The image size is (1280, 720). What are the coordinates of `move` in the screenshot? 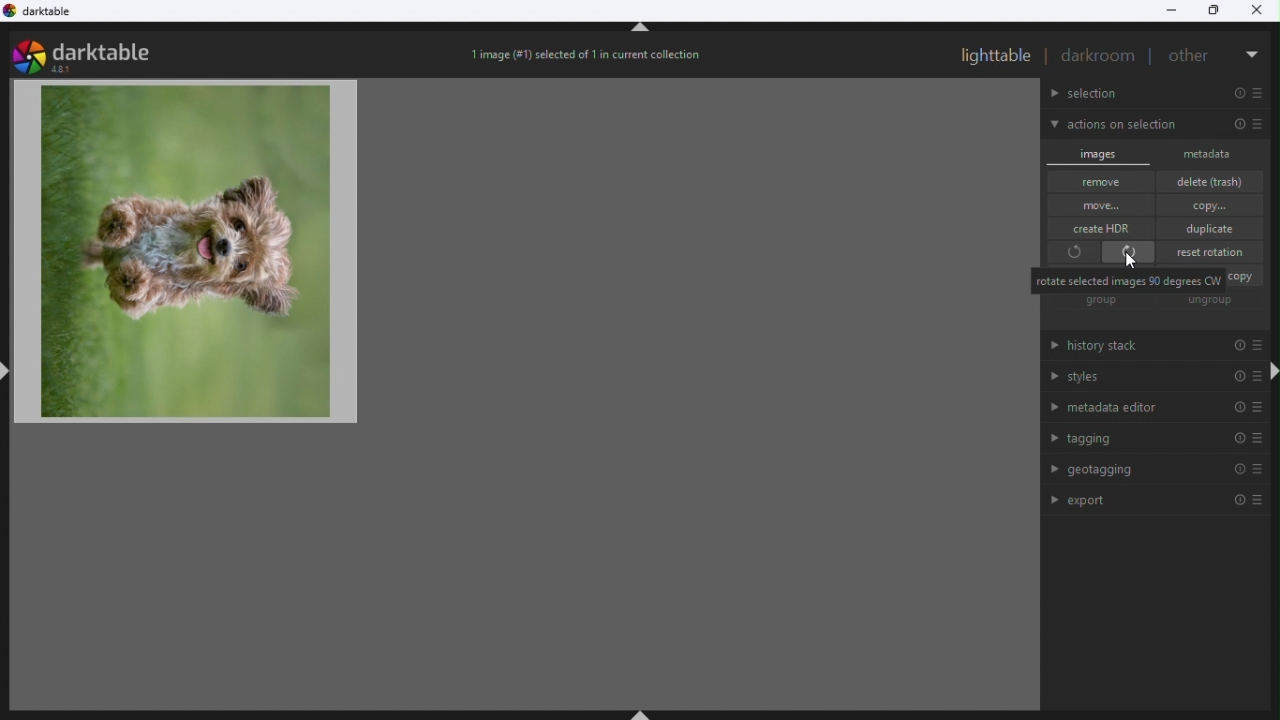 It's located at (1101, 205).